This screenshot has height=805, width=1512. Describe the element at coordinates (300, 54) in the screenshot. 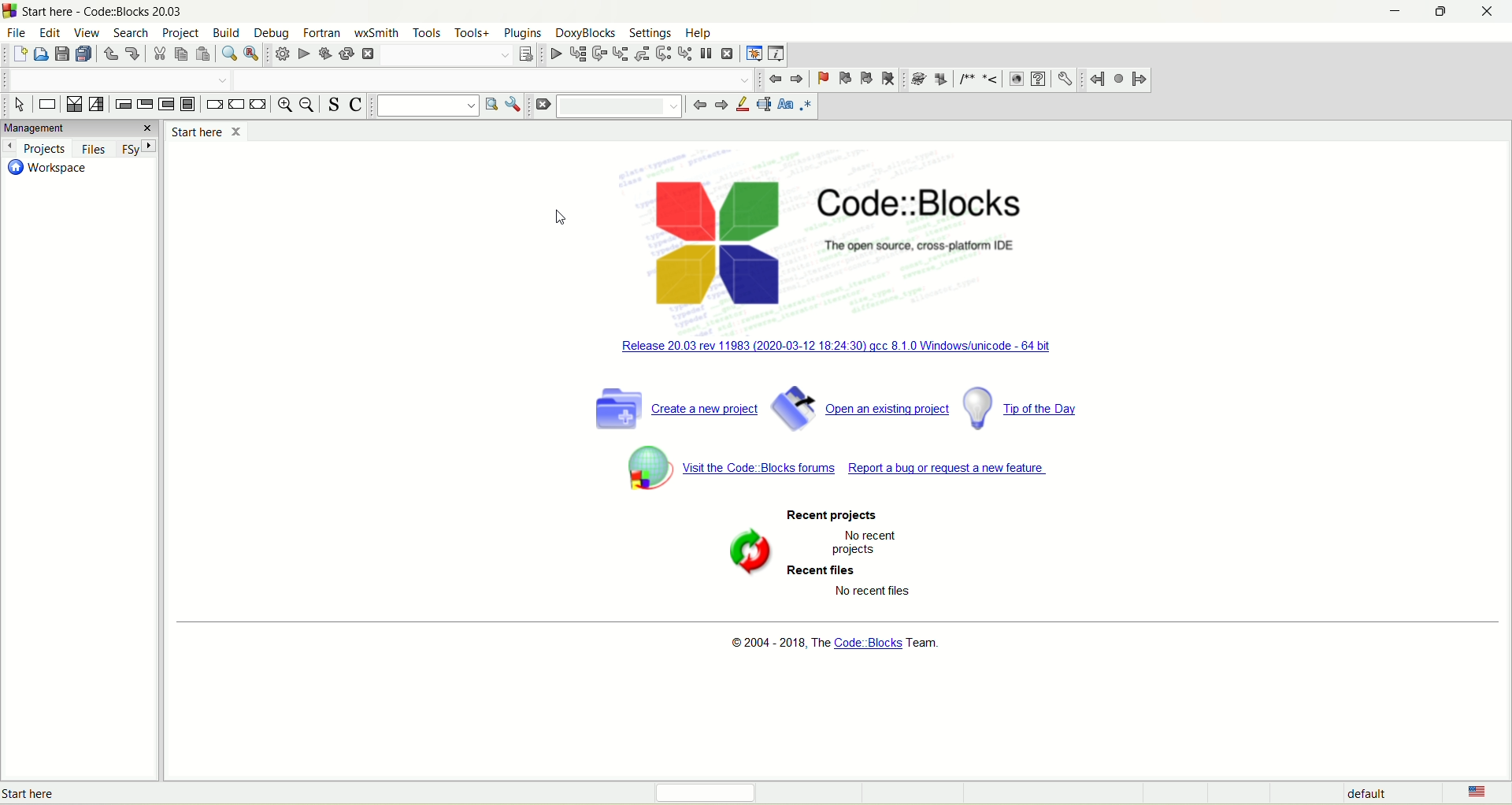

I see `run` at that location.